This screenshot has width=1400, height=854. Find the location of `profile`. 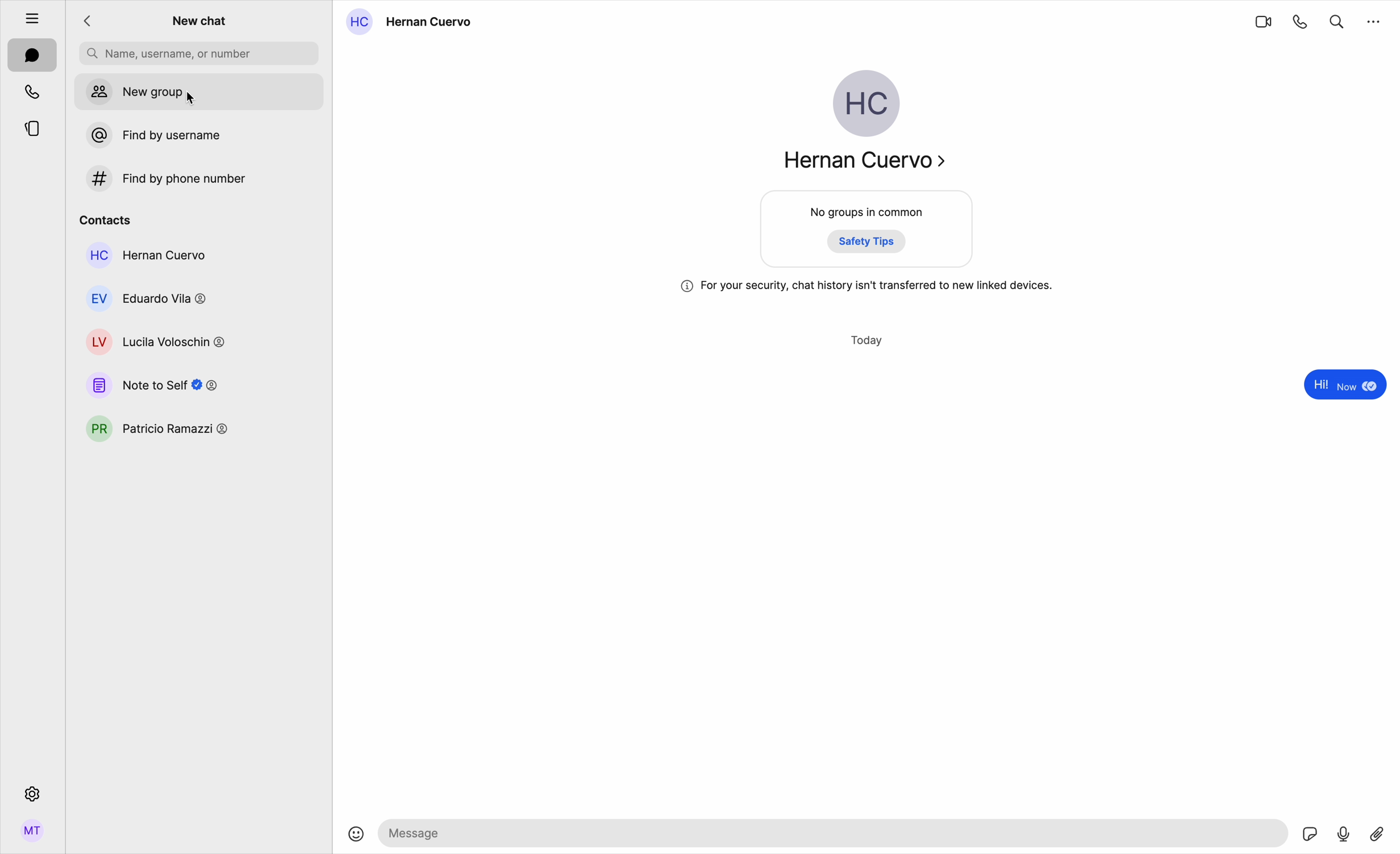

profile is located at coordinates (32, 835).